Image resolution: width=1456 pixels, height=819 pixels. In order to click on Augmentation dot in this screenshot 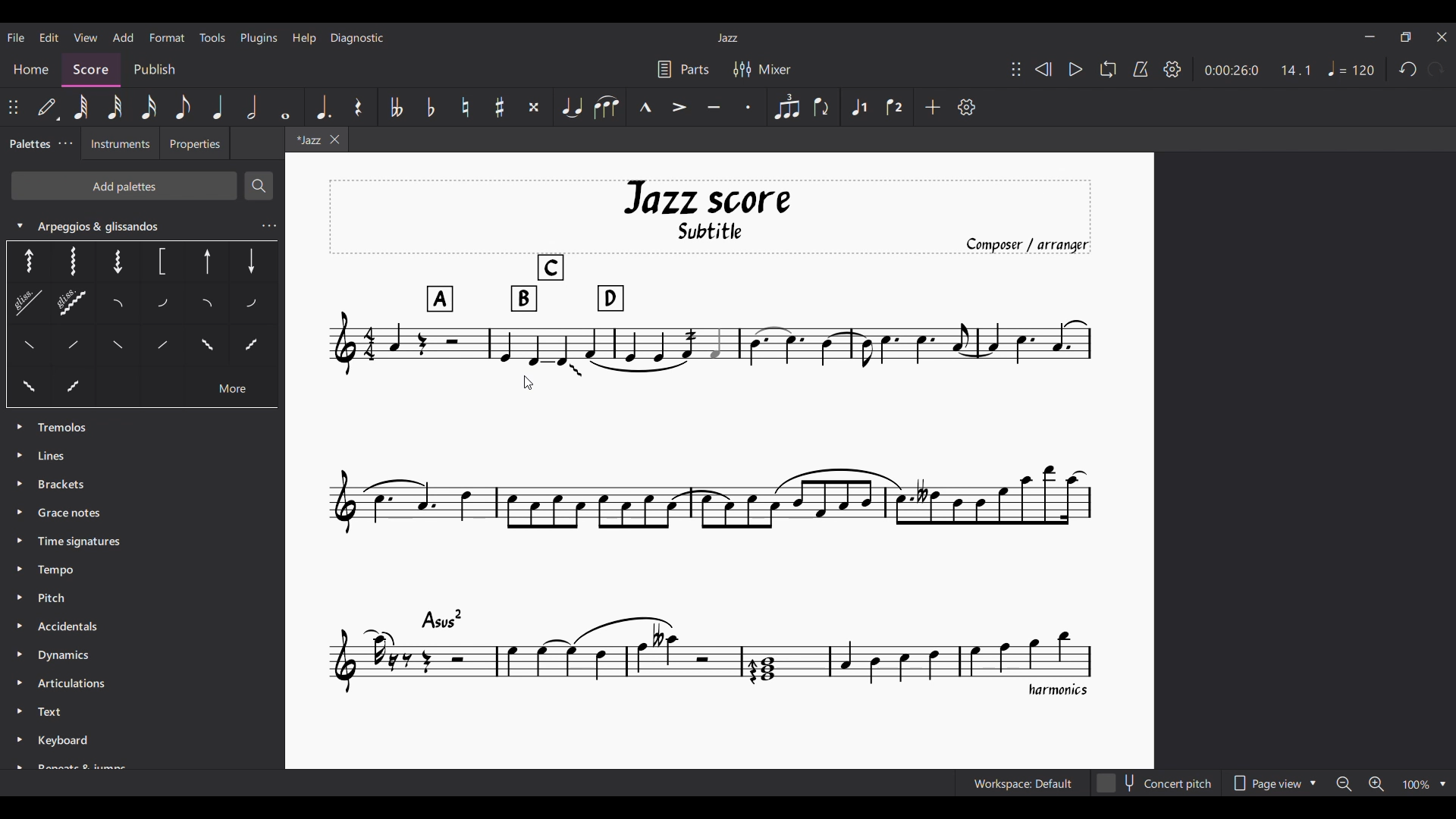, I will do `click(322, 107)`.